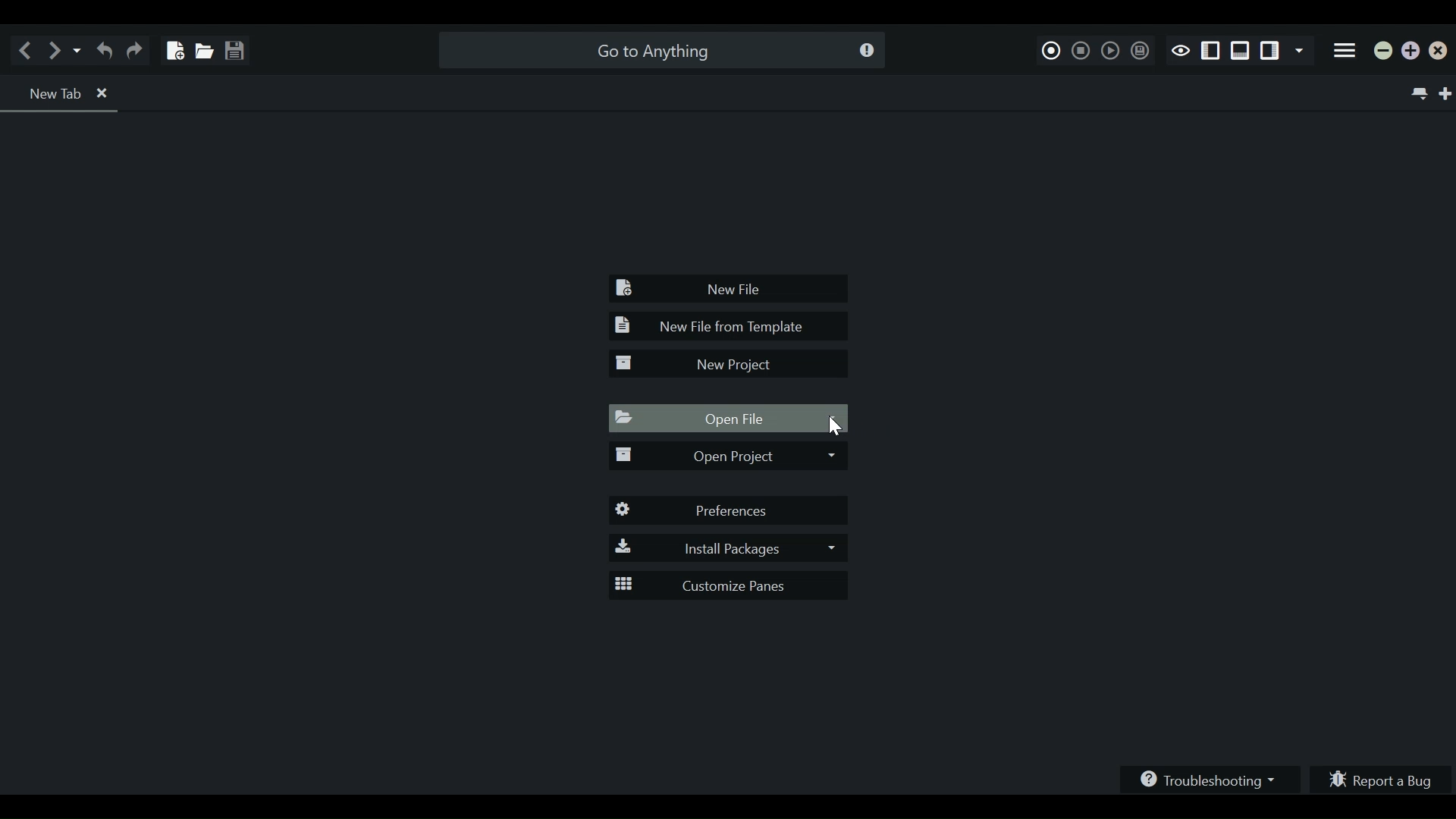  I want to click on Open File, so click(730, 419).